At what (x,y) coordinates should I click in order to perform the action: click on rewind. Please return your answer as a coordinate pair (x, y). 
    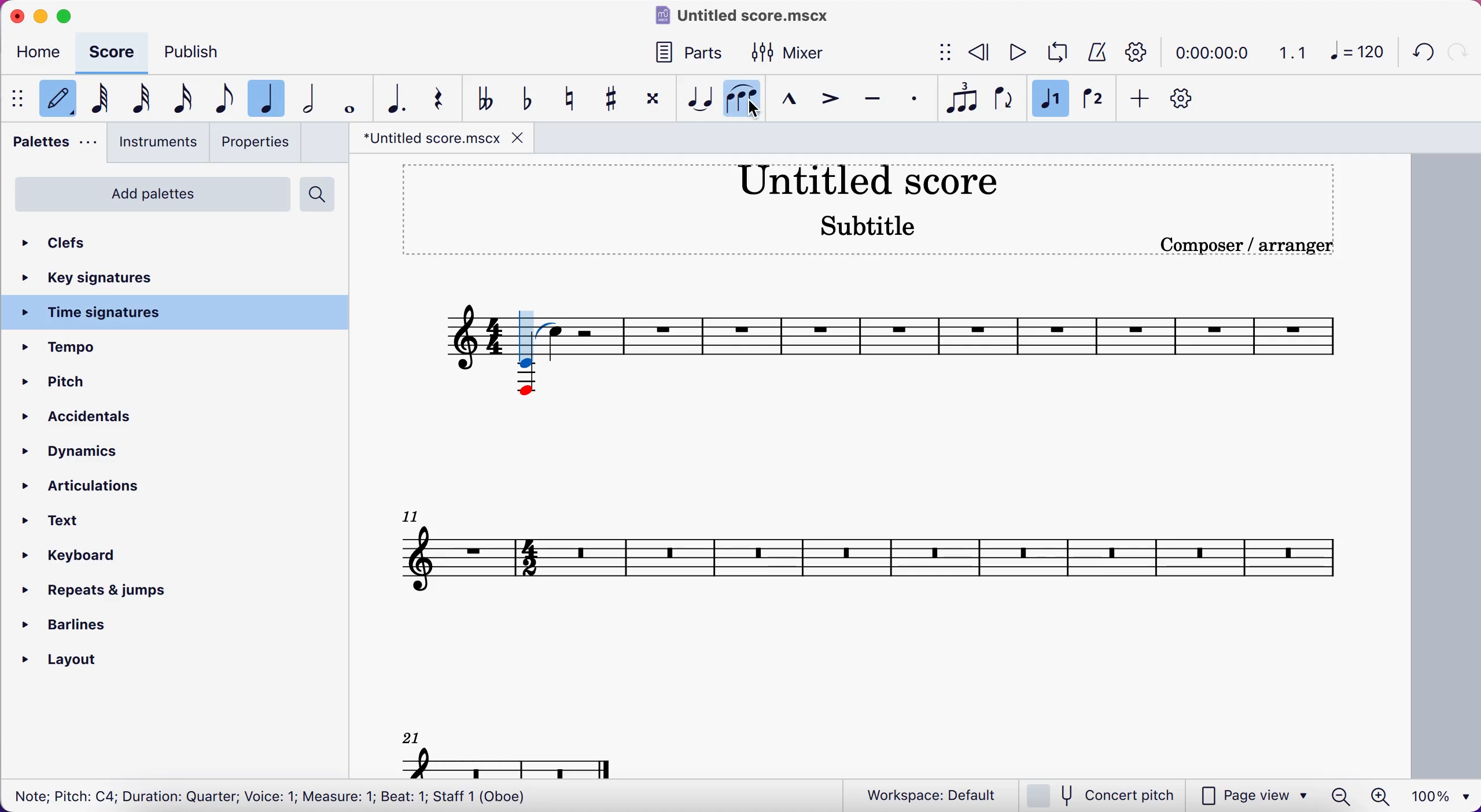
    Looking at the image, I should click on (975, 54).